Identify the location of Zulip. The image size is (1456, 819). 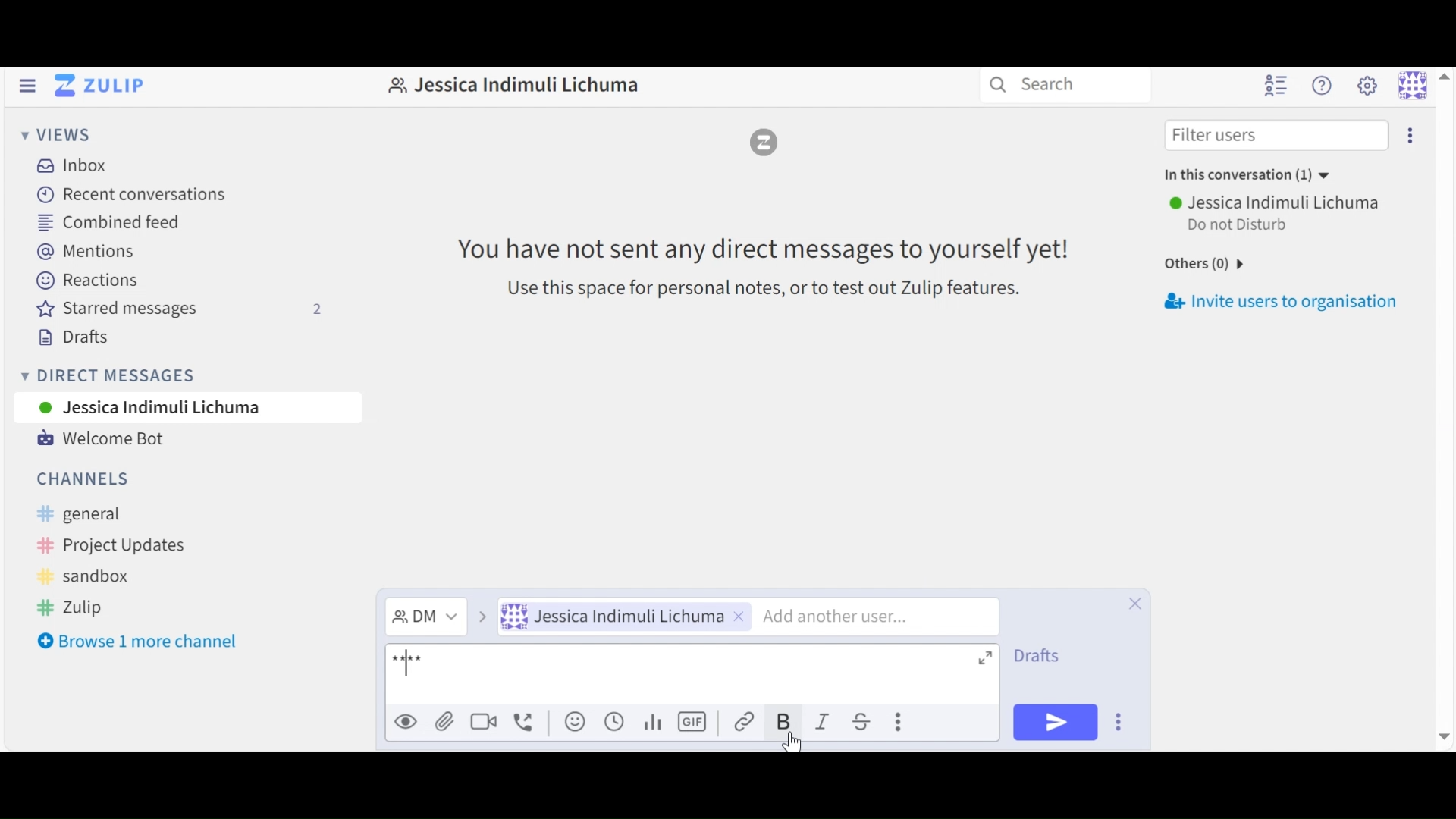
(69, 607).